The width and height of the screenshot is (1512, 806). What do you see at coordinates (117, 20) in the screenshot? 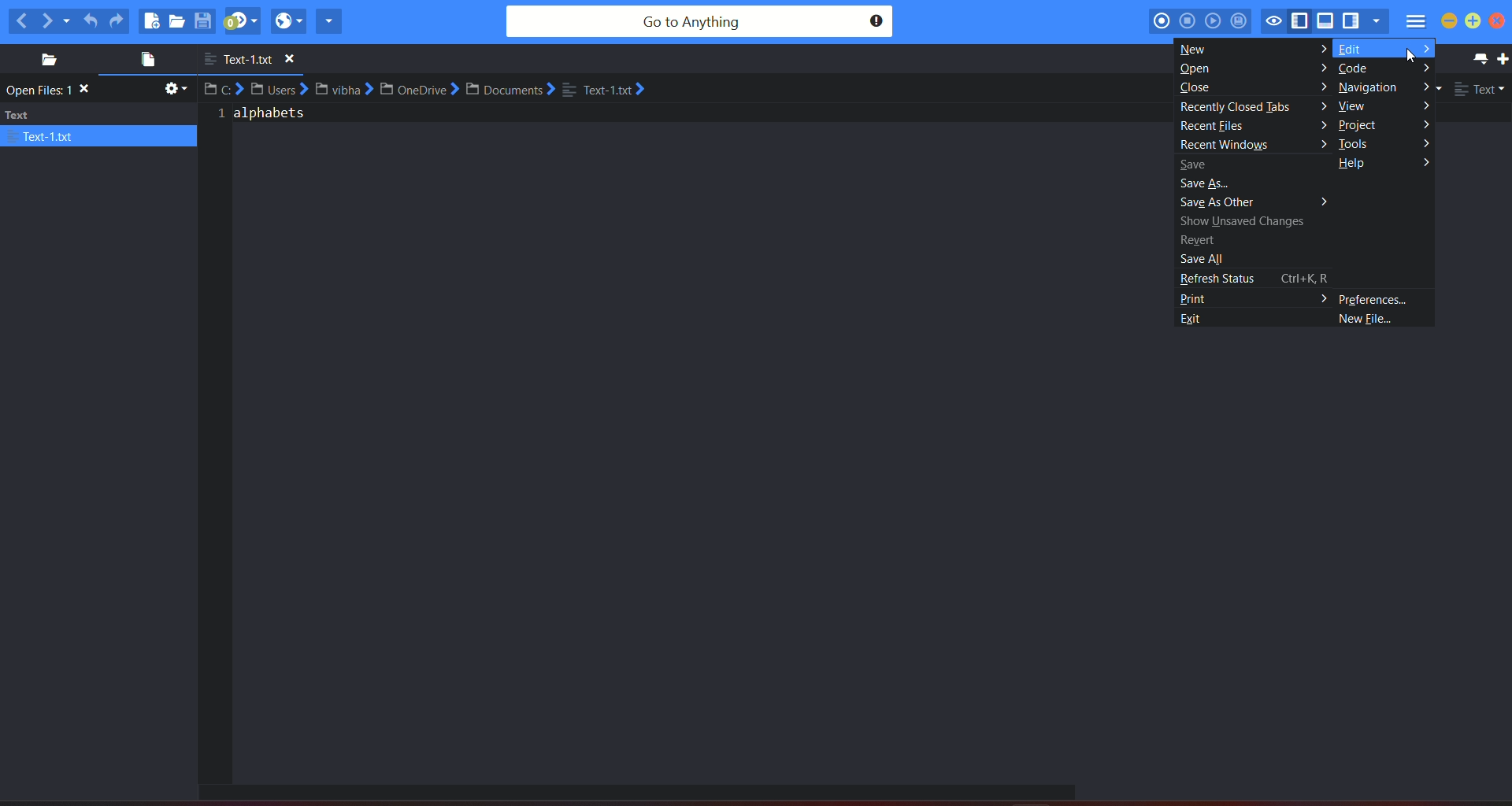
I see `redo` at bounding box center [117, 20].